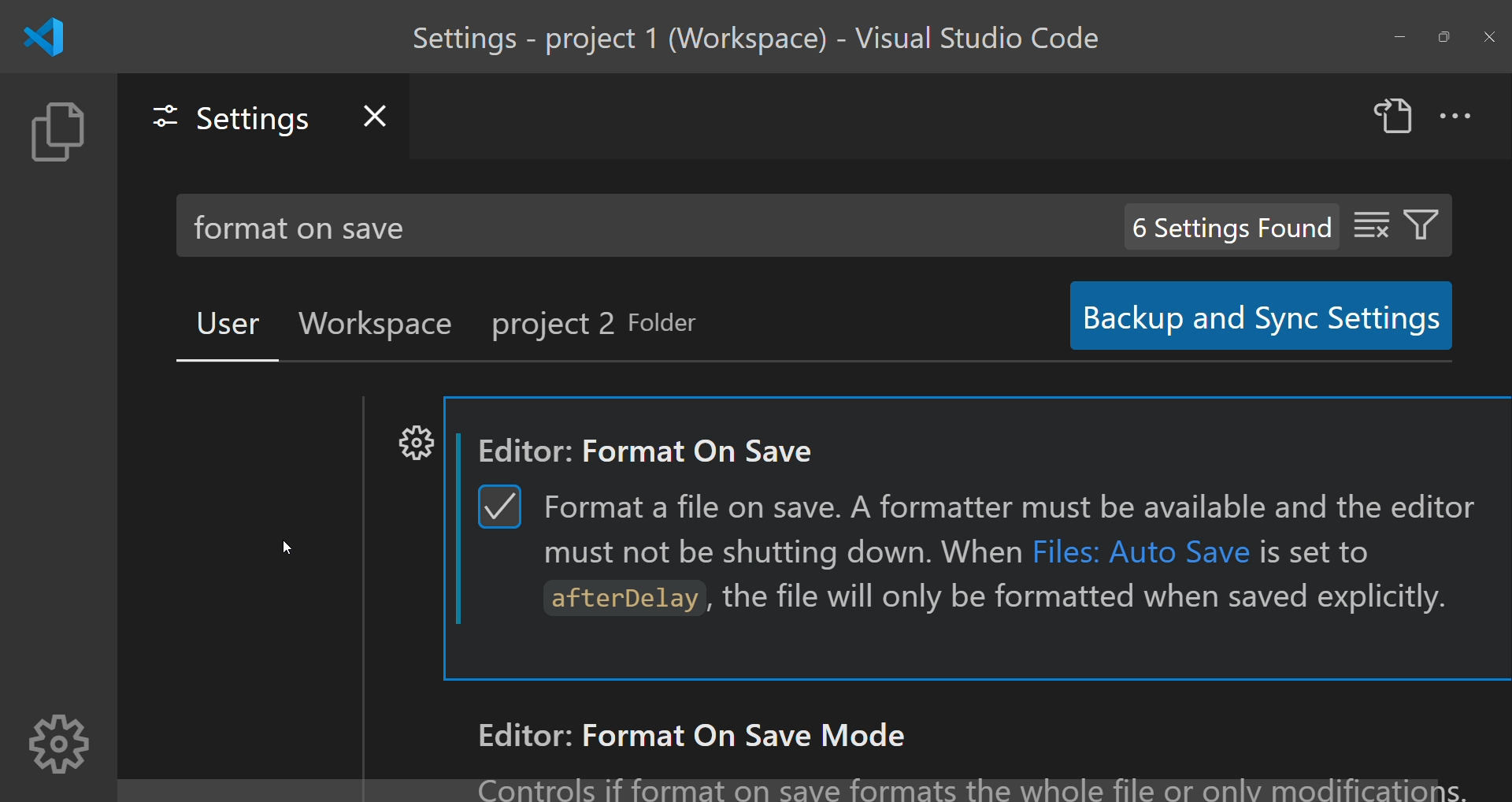  What do you see at coordinates (1014, 506) in the screenshot?
I see `Format a file on save. A formatter must be available and the editor` at bounding box center [1014, 506].